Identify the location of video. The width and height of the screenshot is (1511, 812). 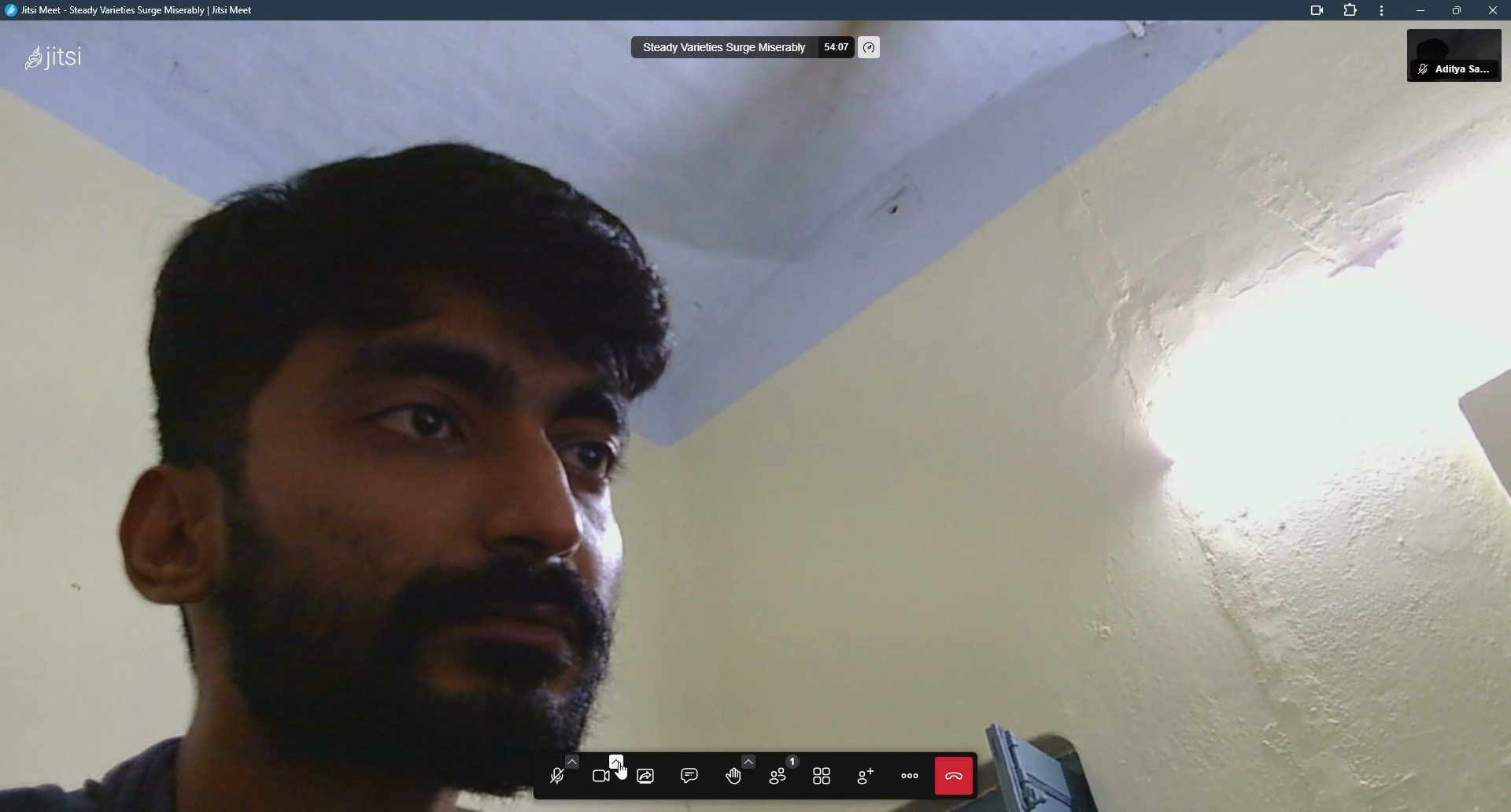
(668, 445).